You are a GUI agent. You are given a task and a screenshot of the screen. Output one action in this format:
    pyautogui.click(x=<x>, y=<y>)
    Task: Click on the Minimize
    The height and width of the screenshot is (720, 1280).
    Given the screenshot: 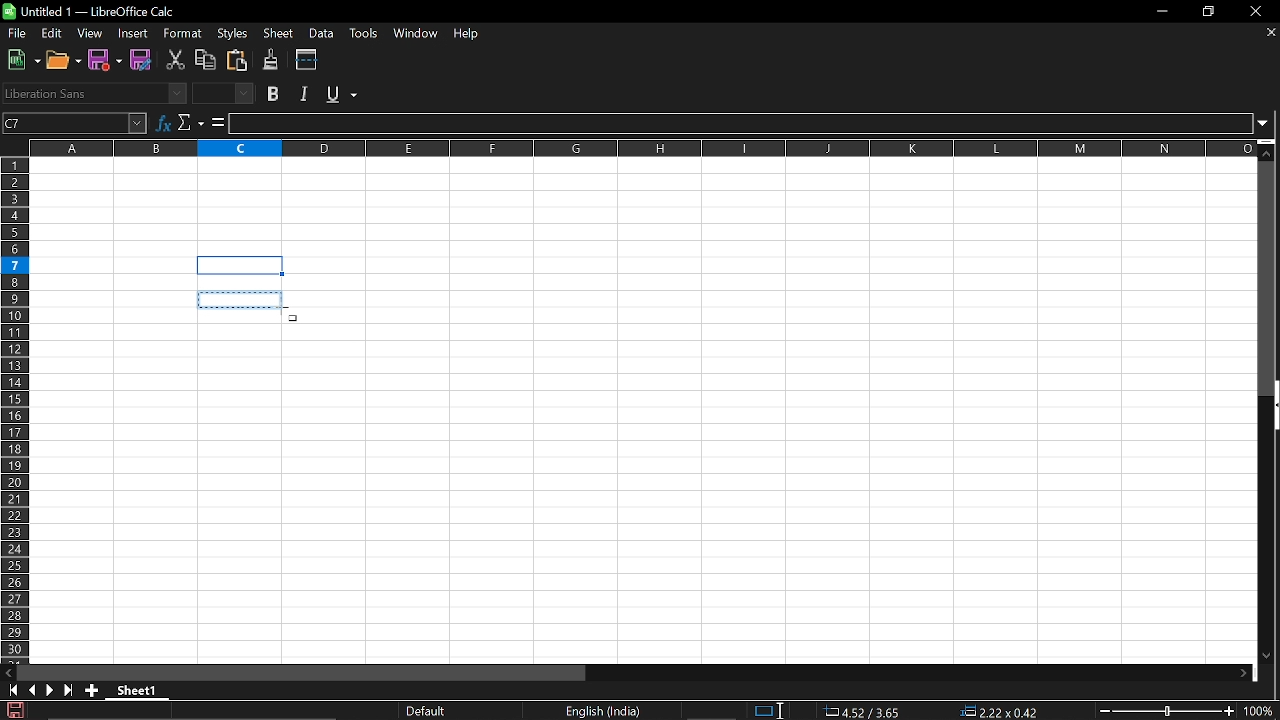 What is the action you would take?
    pyautogui.click(x=1158, y=11)
    